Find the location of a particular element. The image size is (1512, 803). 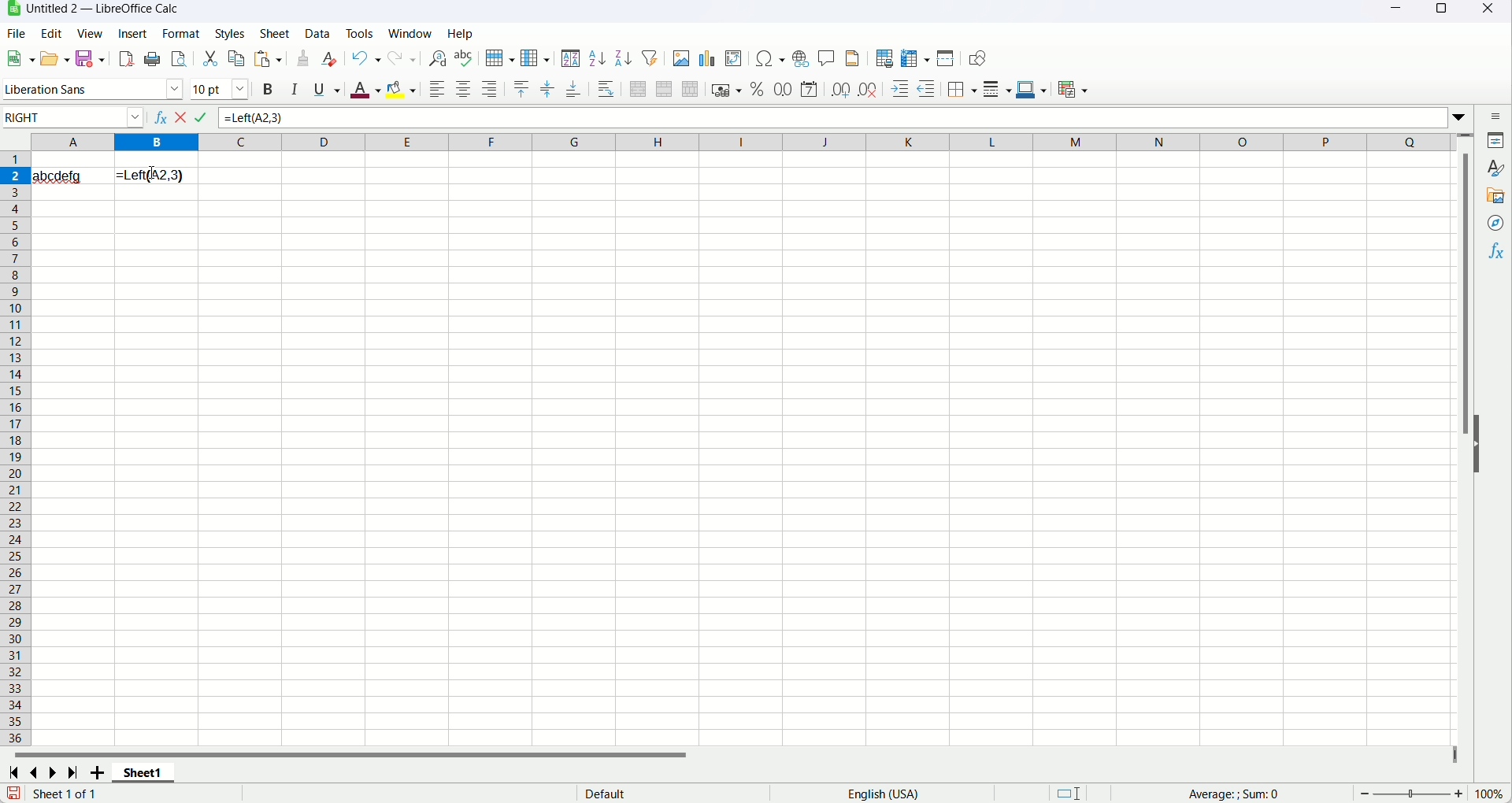

new is located at coordinates (22, 57).